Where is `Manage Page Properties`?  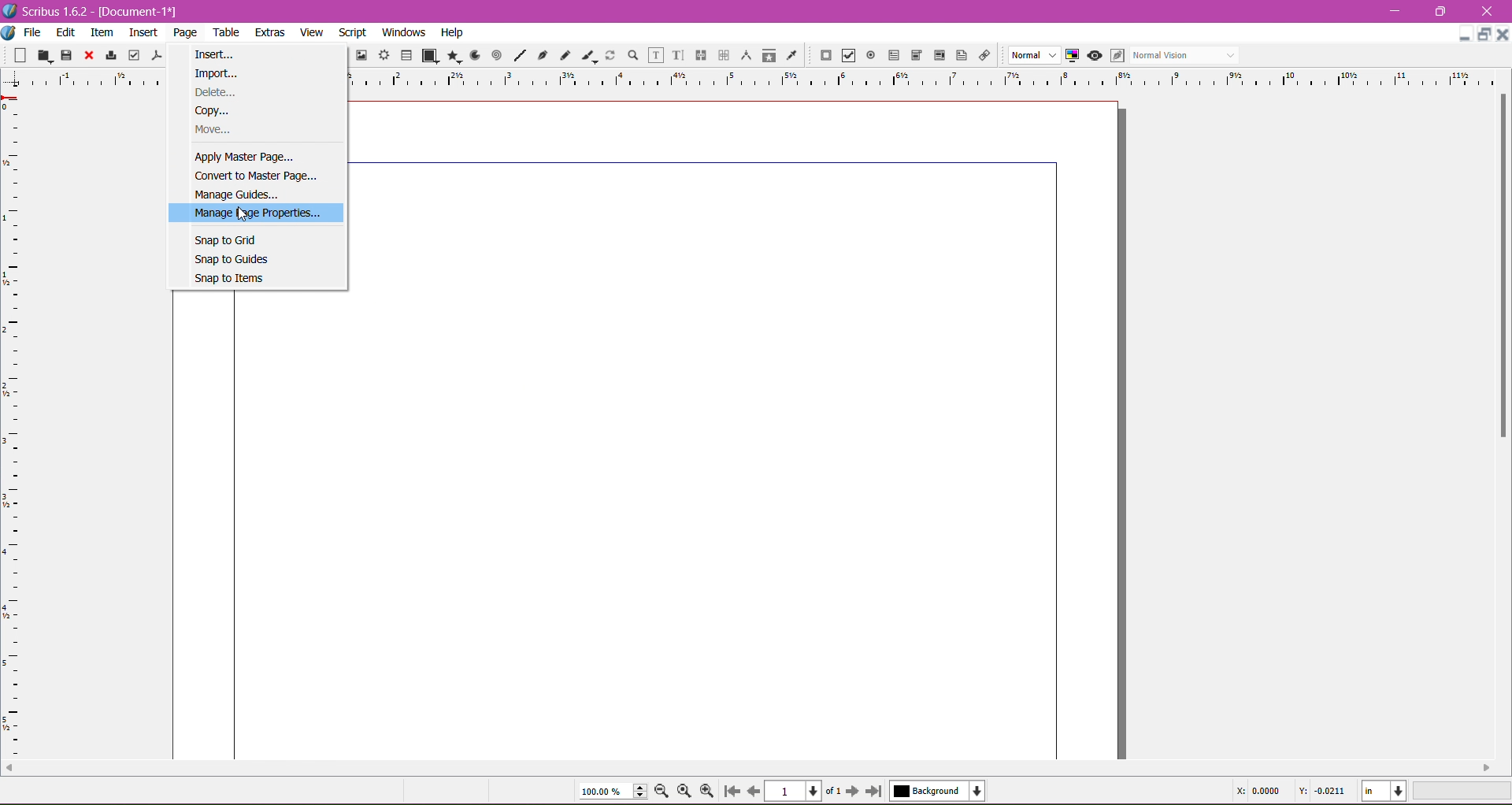
Manage Page Properties is located at coordinates (258, 214).